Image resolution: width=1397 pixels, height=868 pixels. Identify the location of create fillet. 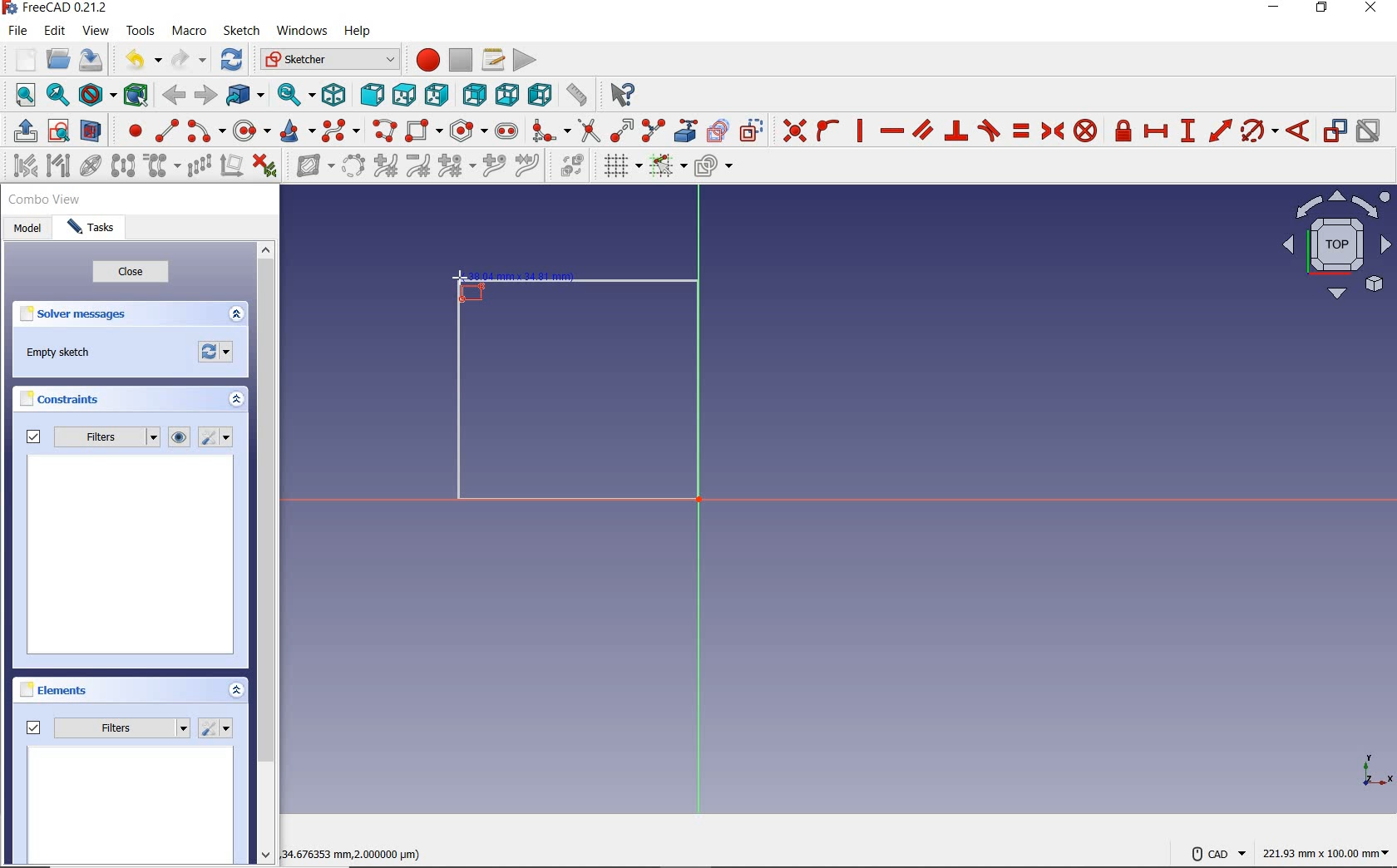
(549, 131).